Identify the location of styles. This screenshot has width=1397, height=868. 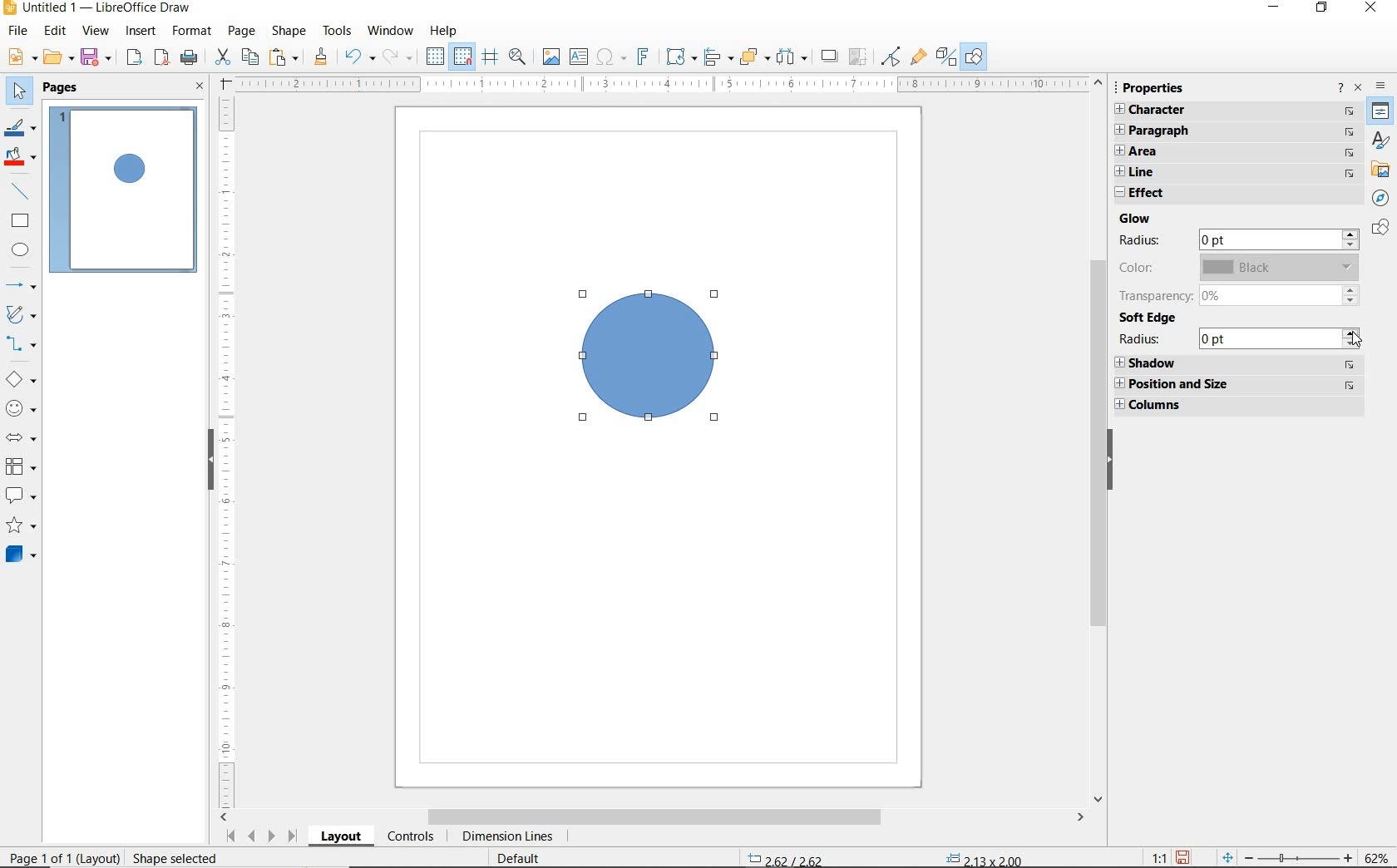
(1381, 143).